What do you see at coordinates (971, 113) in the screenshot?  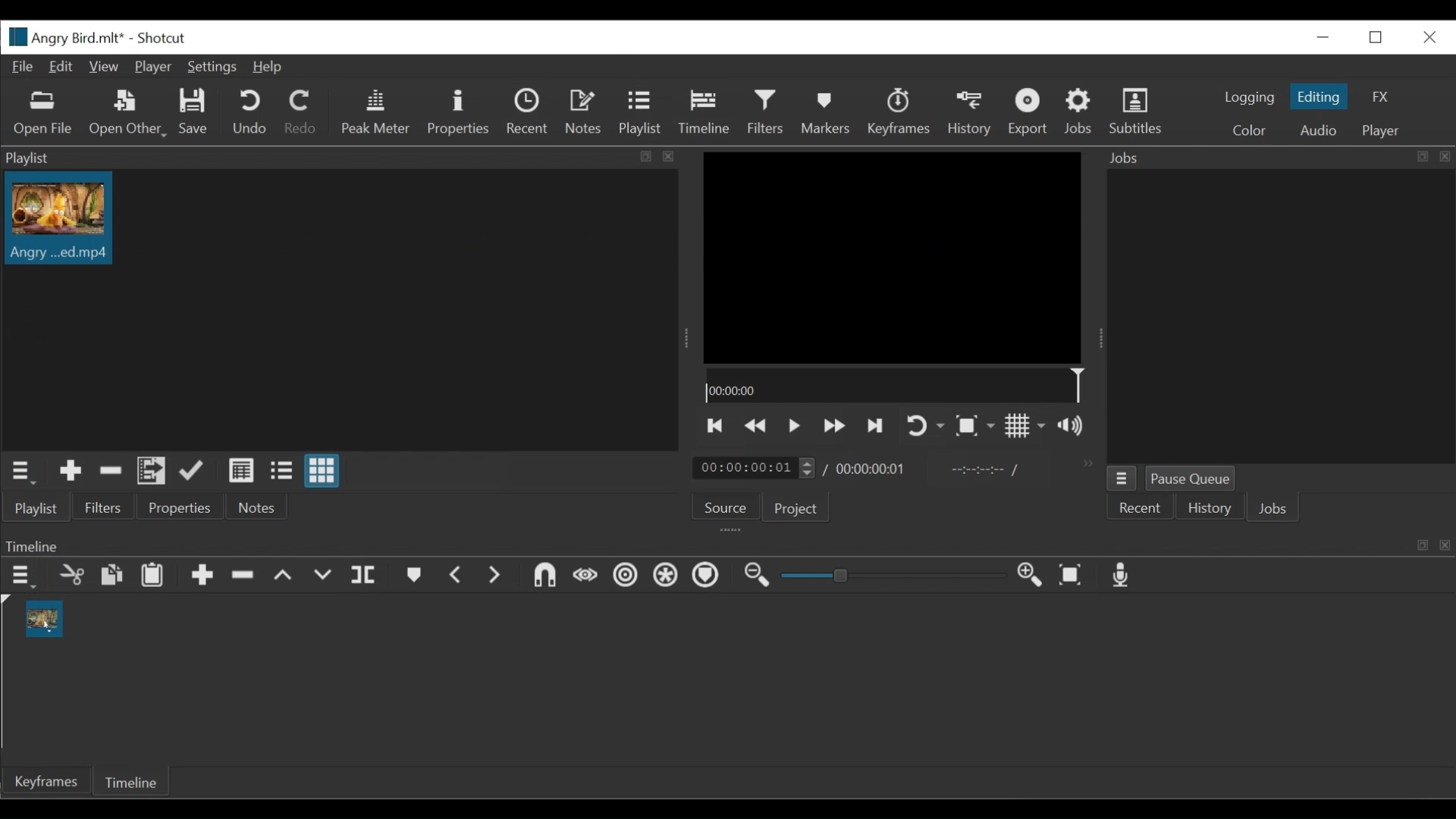 I see `History` at bounding box center [971, 113].